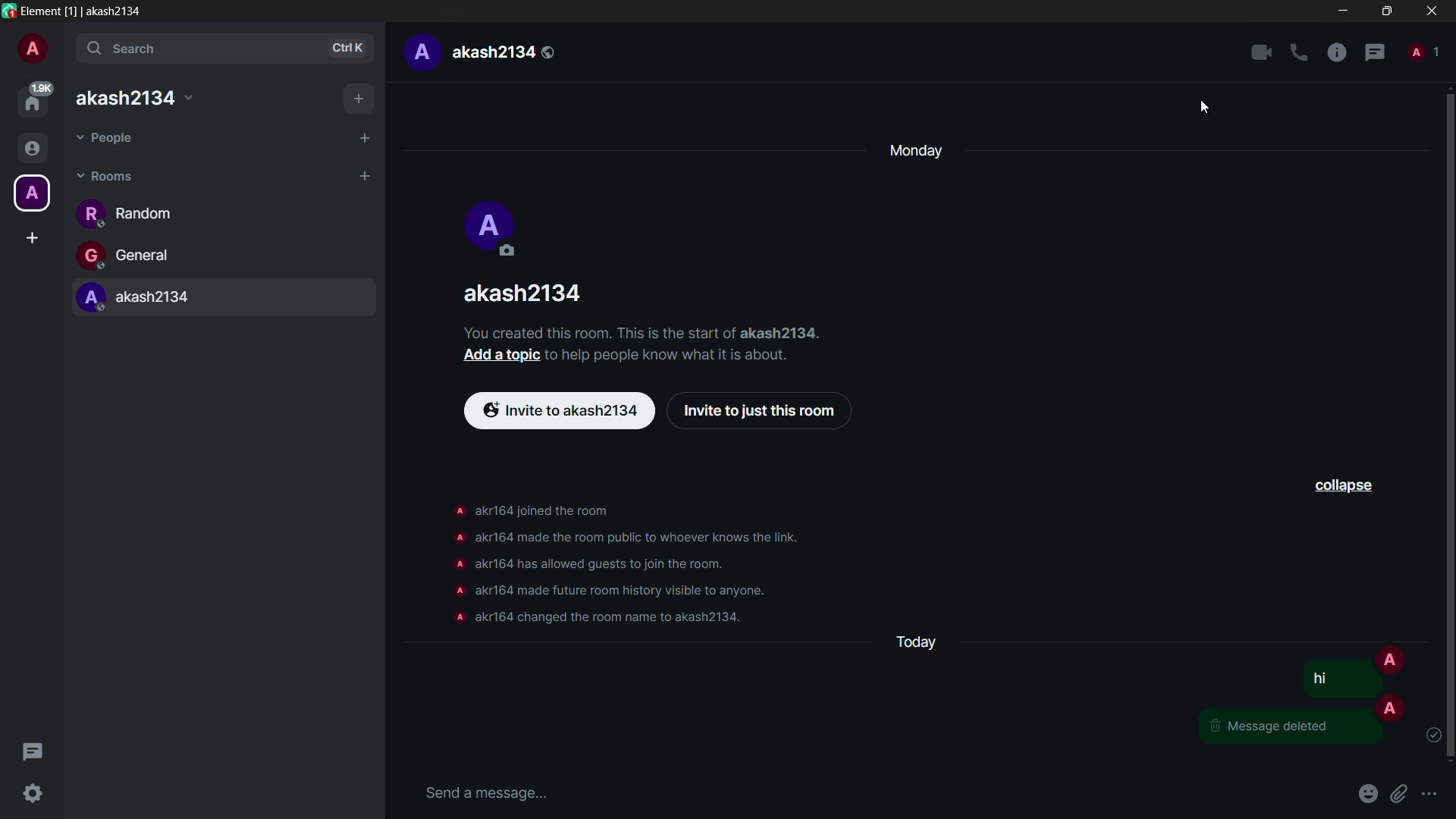 This screenshot has height=819, width=1456. I want to click on maximize or restore, so click(1386, 10).